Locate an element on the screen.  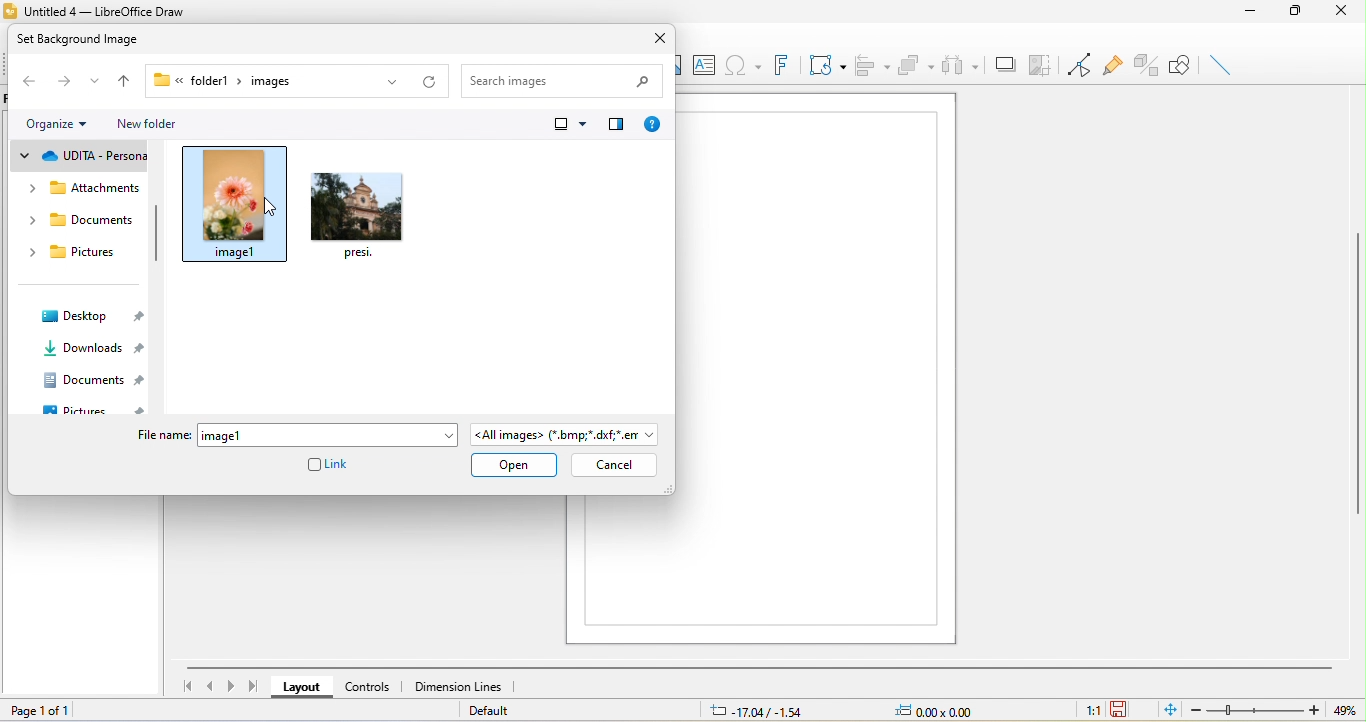
close is located at coordinates (1346, 13).